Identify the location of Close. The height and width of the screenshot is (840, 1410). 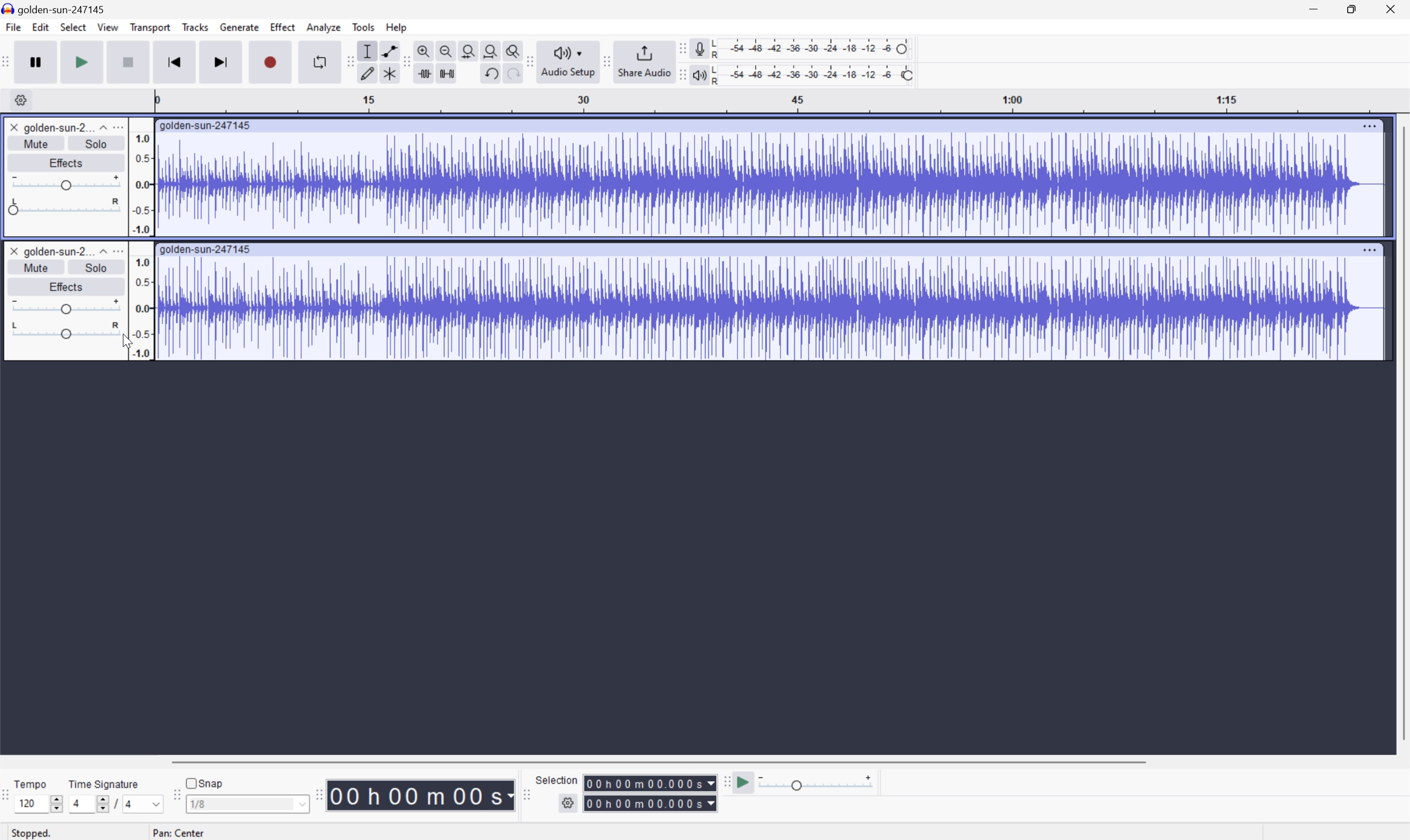
(14, 251).